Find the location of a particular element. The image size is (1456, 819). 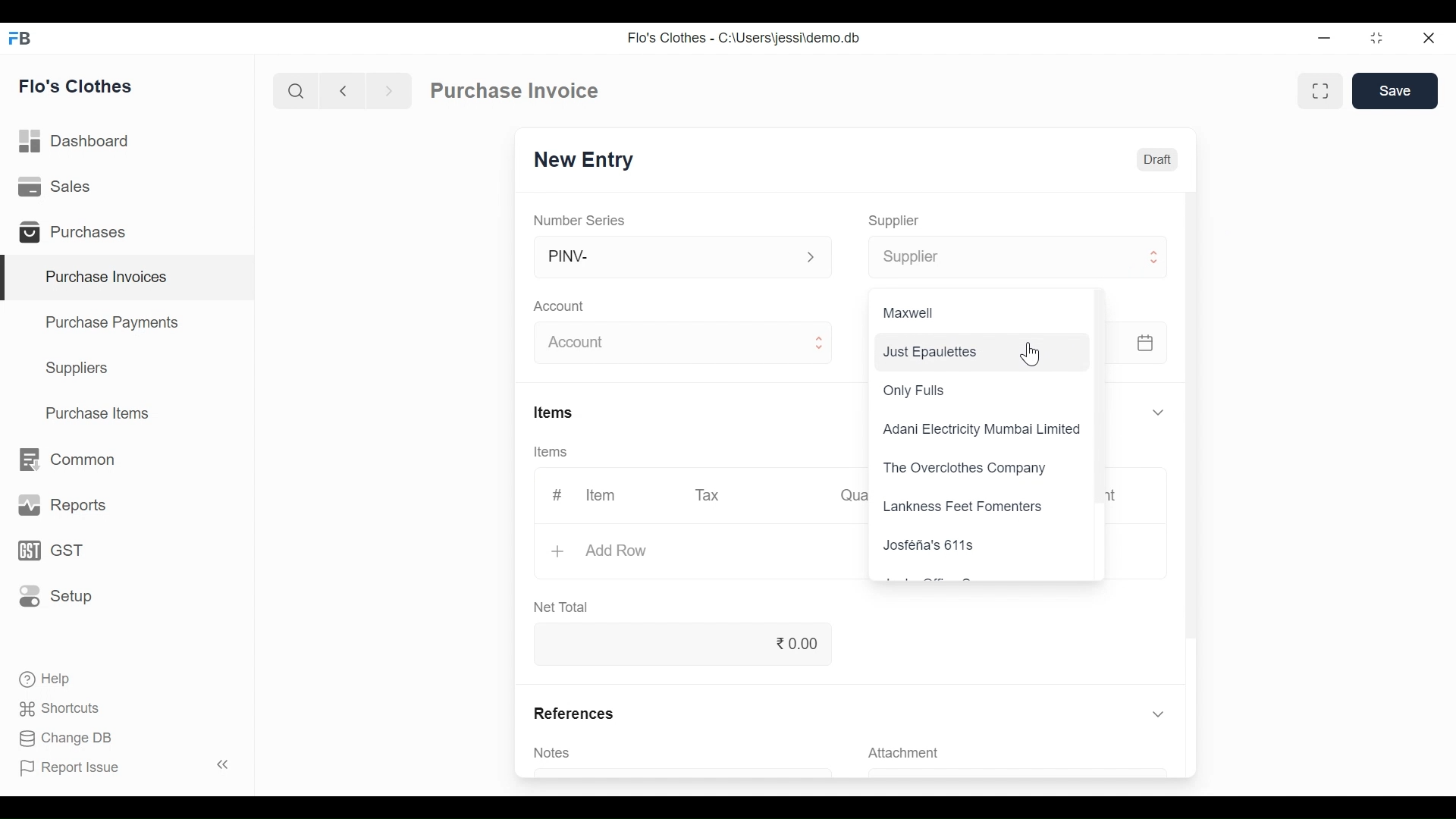

Account is located at coordinates (560, 306).